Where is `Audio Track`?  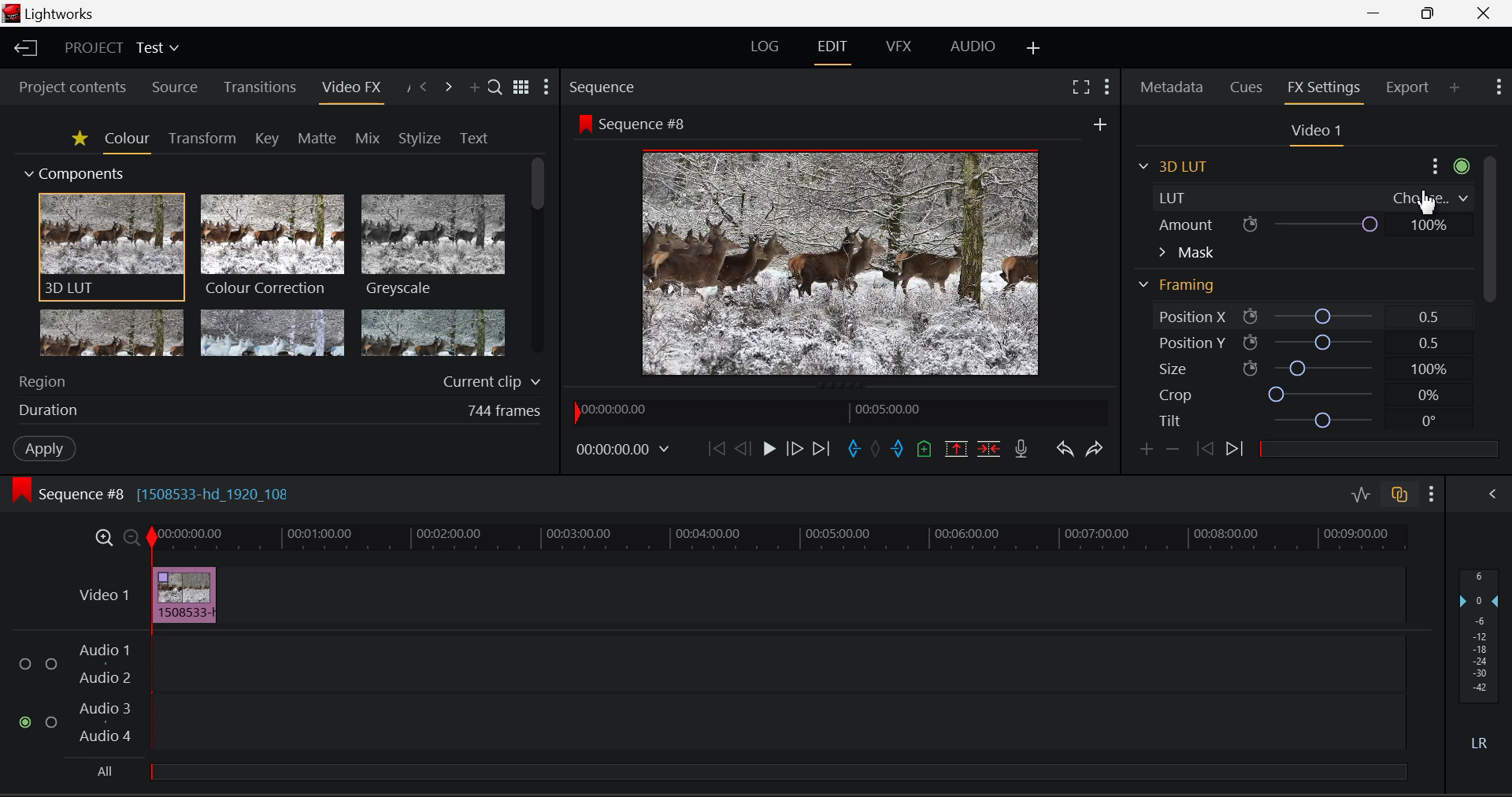 Audio Track is located at coordinates (779, 720).